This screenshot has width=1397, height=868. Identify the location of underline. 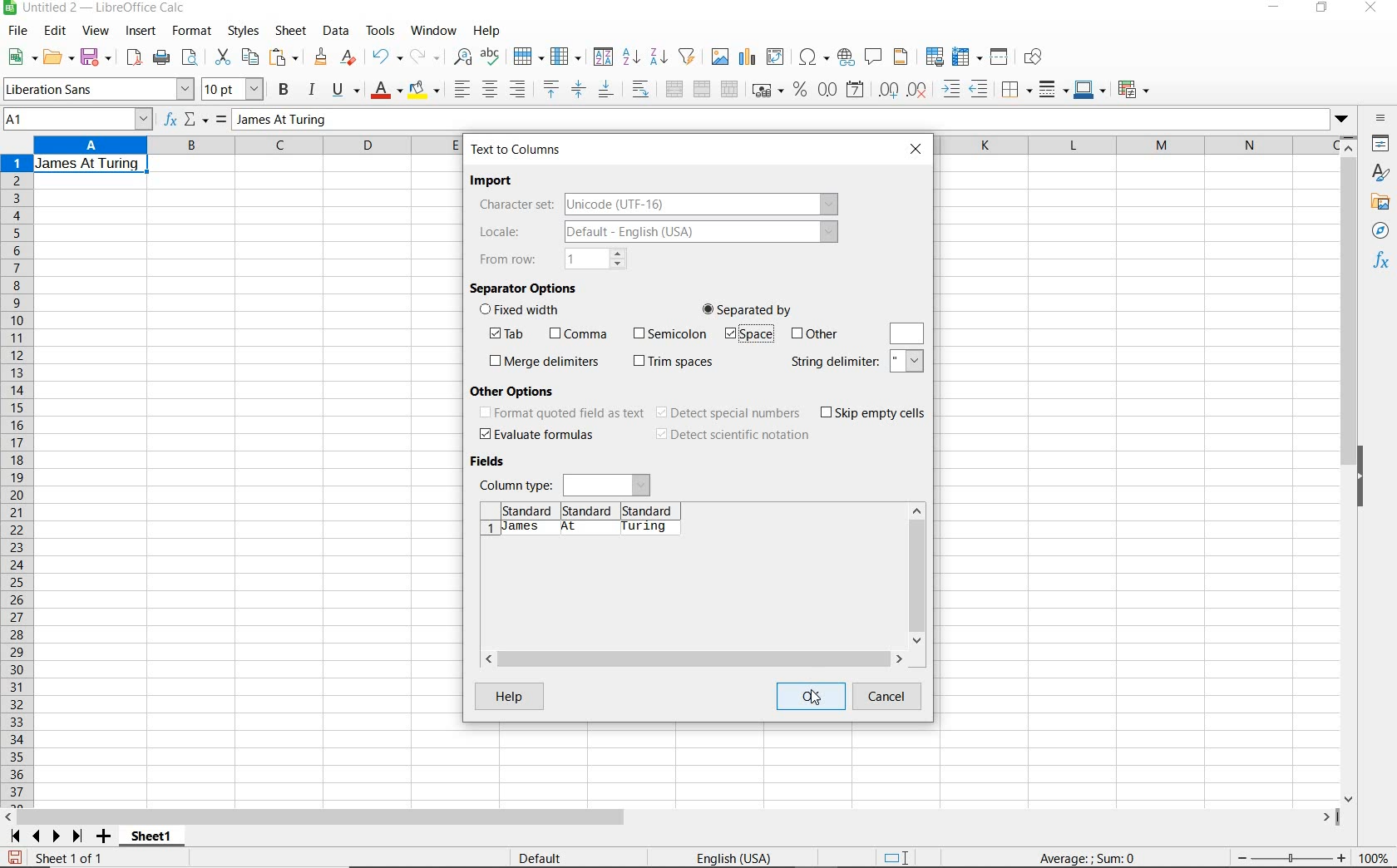
(346, 90).